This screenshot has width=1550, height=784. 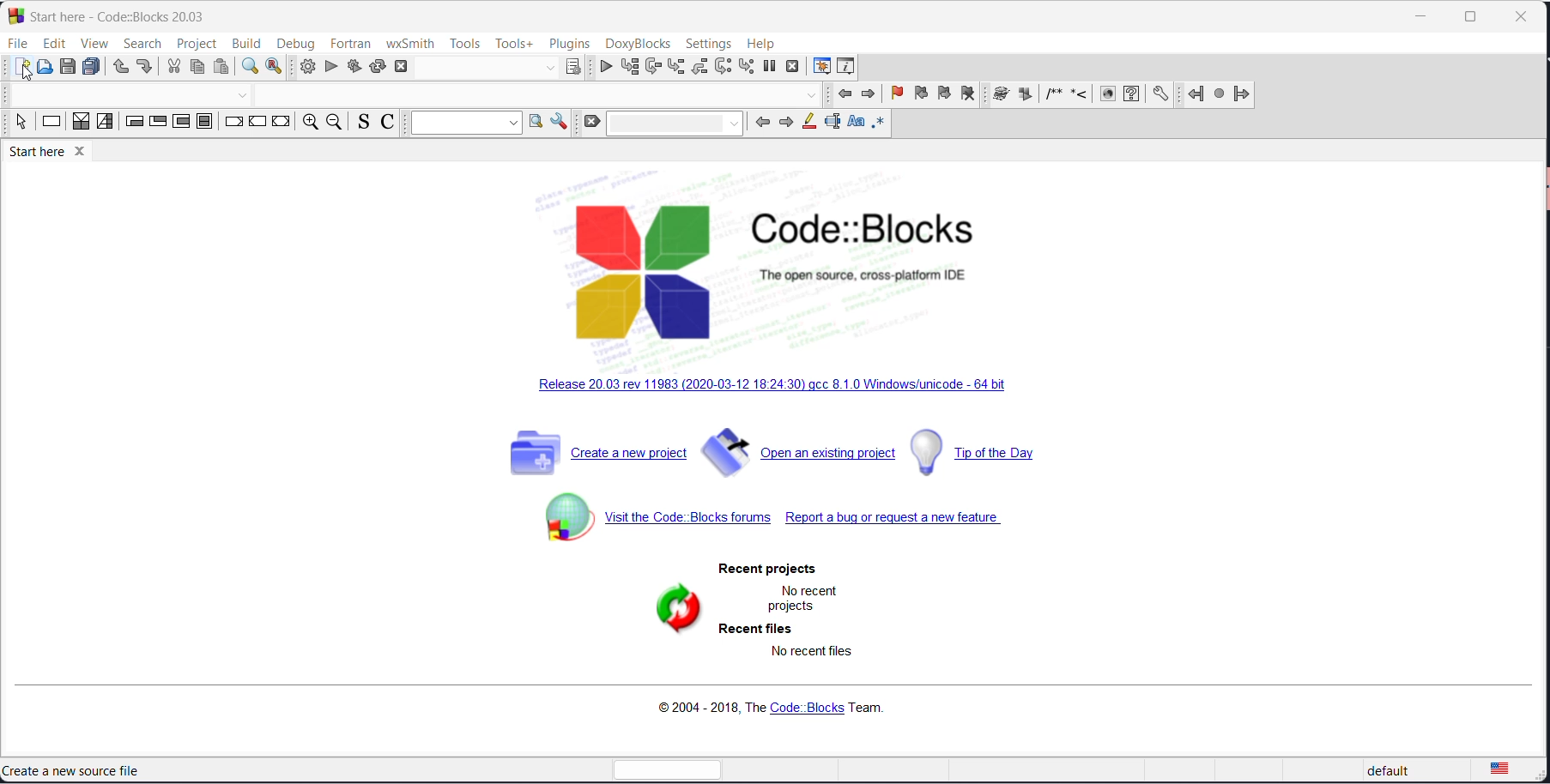 I want to click on open project, so click(x=802, y=450).